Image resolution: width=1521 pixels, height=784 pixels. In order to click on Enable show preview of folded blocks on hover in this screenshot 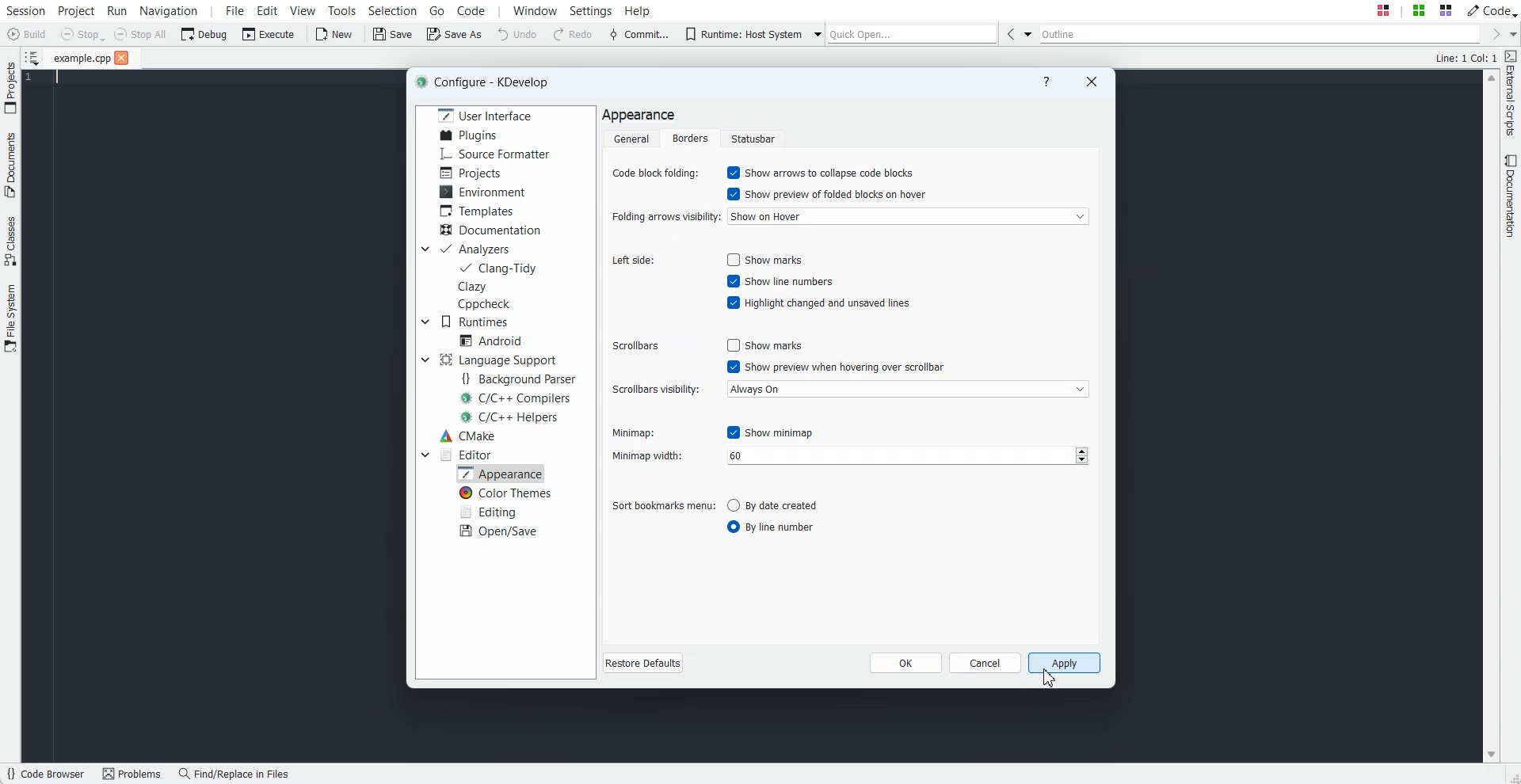, I will do `click(828, 194)`.